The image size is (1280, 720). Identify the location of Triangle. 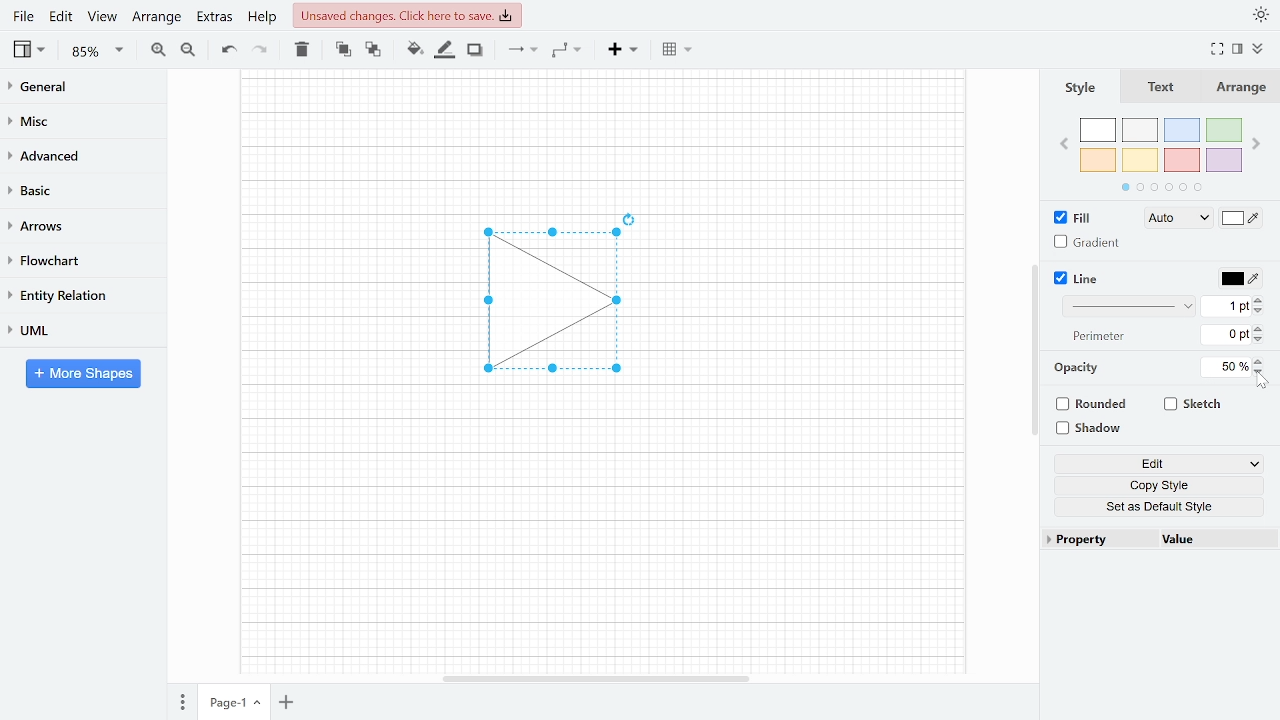
(563, 307).